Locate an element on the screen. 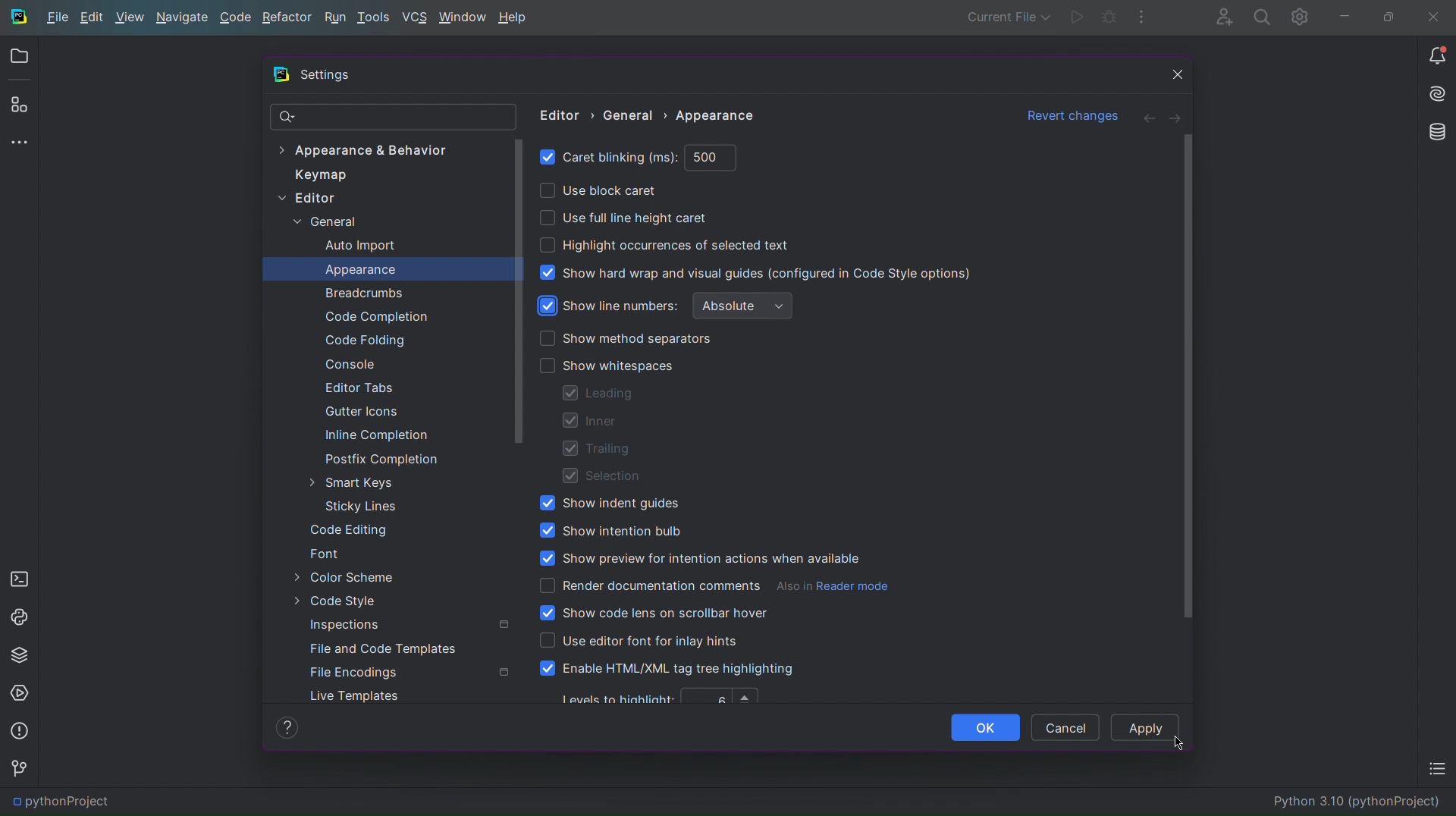 This screenshot has width=1456, height=816. Auto Import is located at coordinates (359, 246).